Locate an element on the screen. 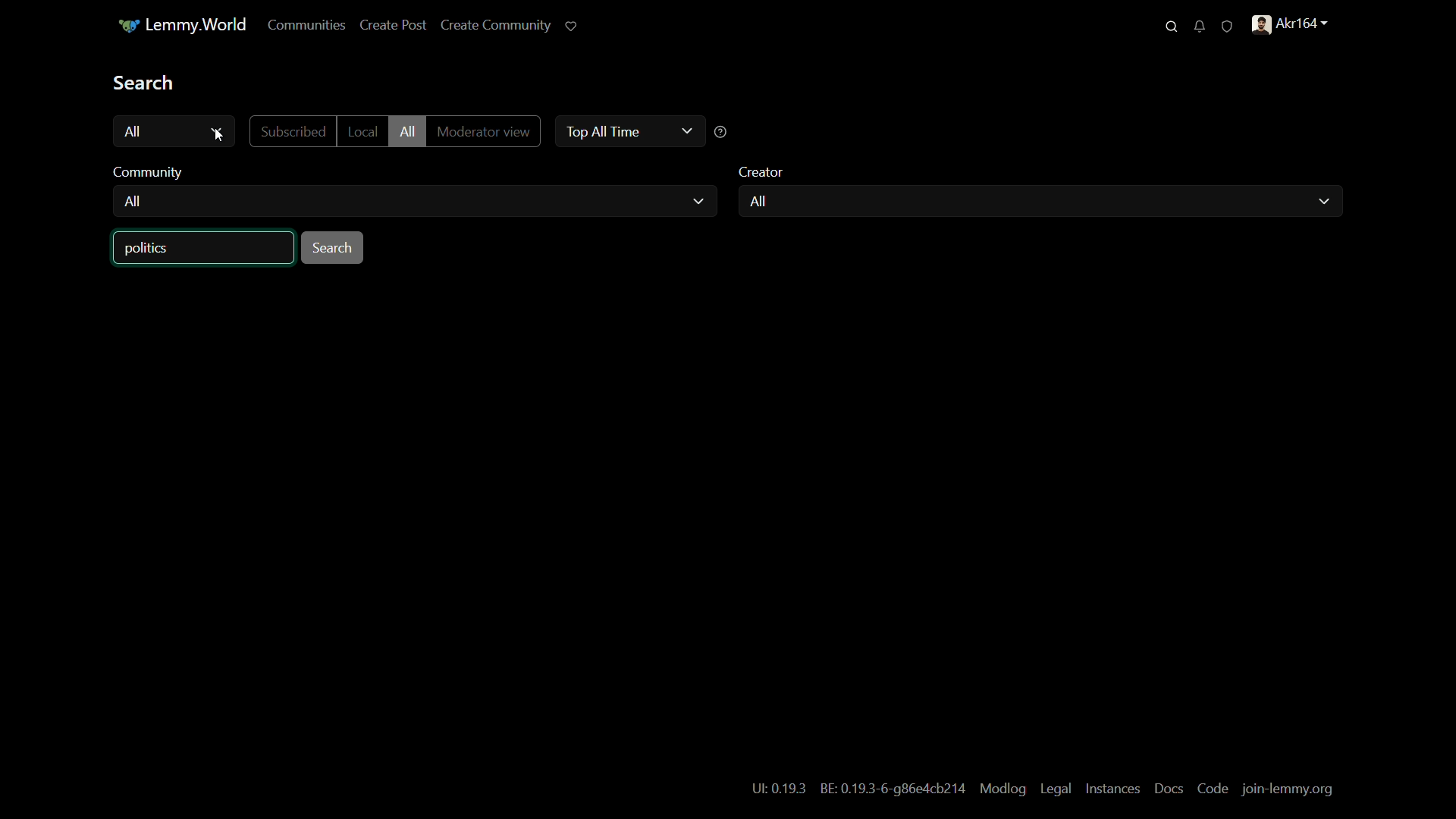  top all time is located at coordinates (600, 130).